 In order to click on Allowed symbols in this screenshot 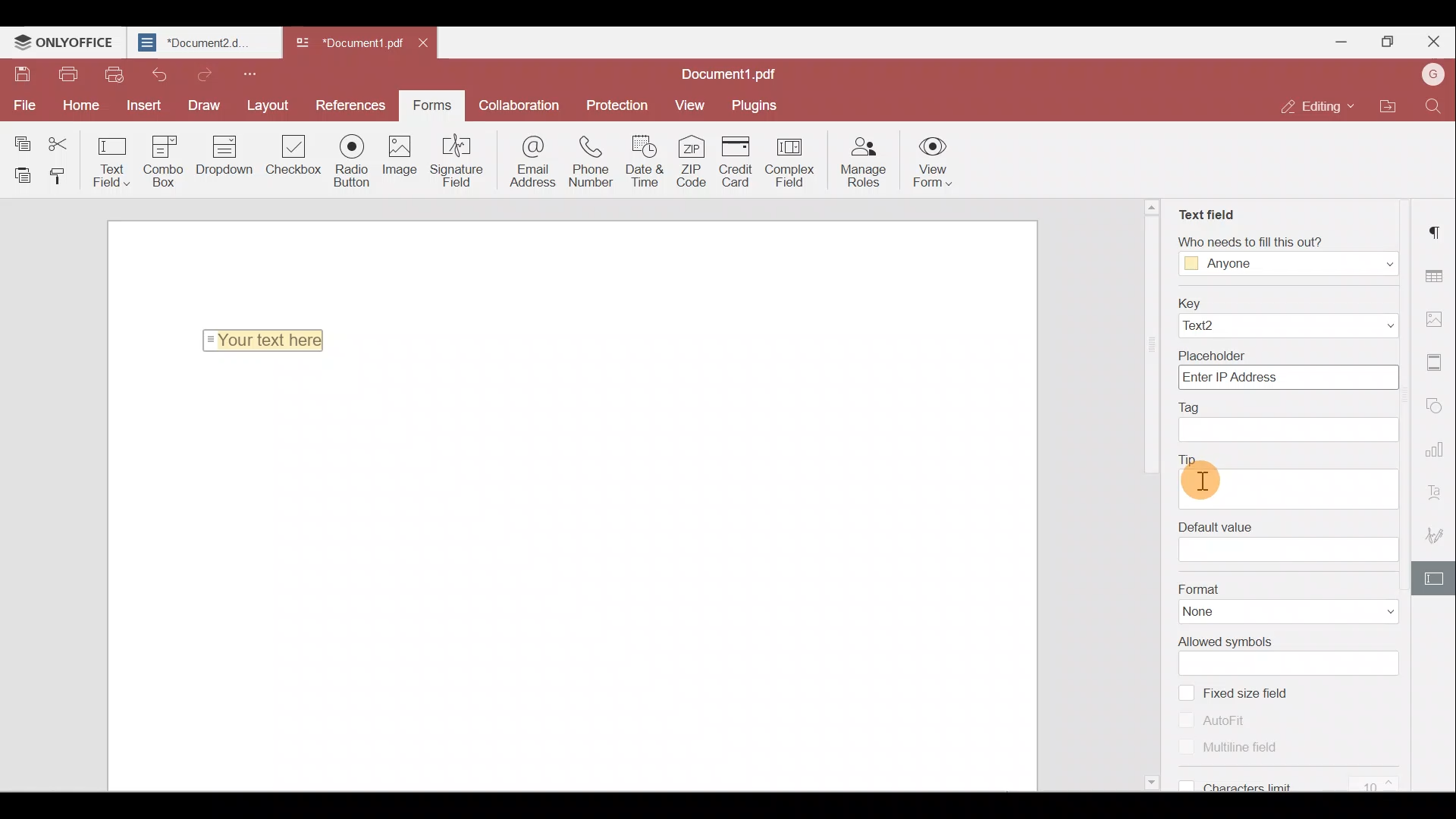, I will do `click(1227, 641)`.